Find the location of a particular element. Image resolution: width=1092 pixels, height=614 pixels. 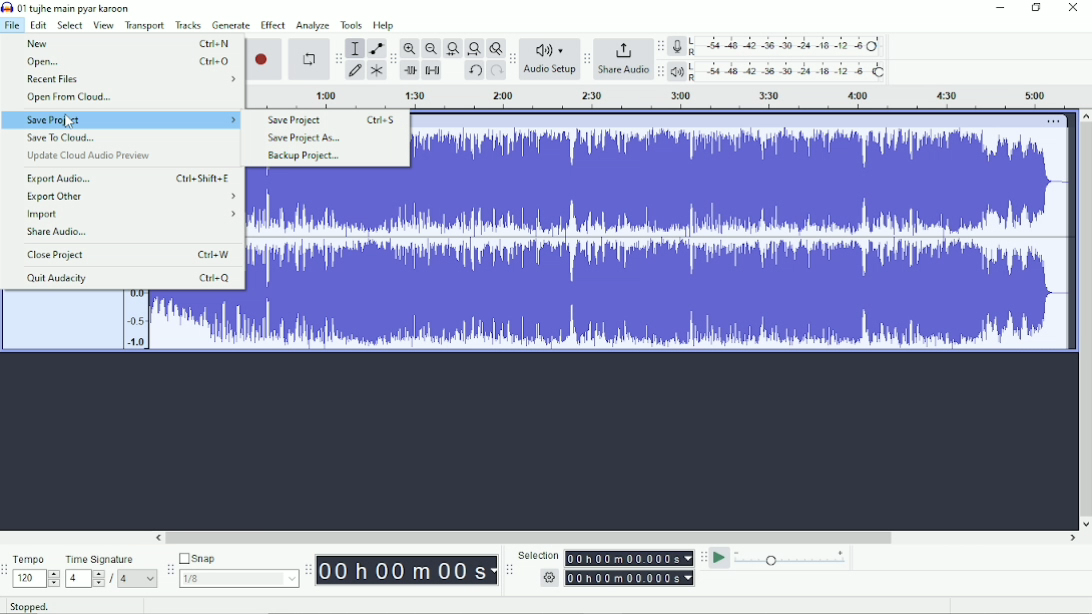

Audio is located at coordinates (739, 240).